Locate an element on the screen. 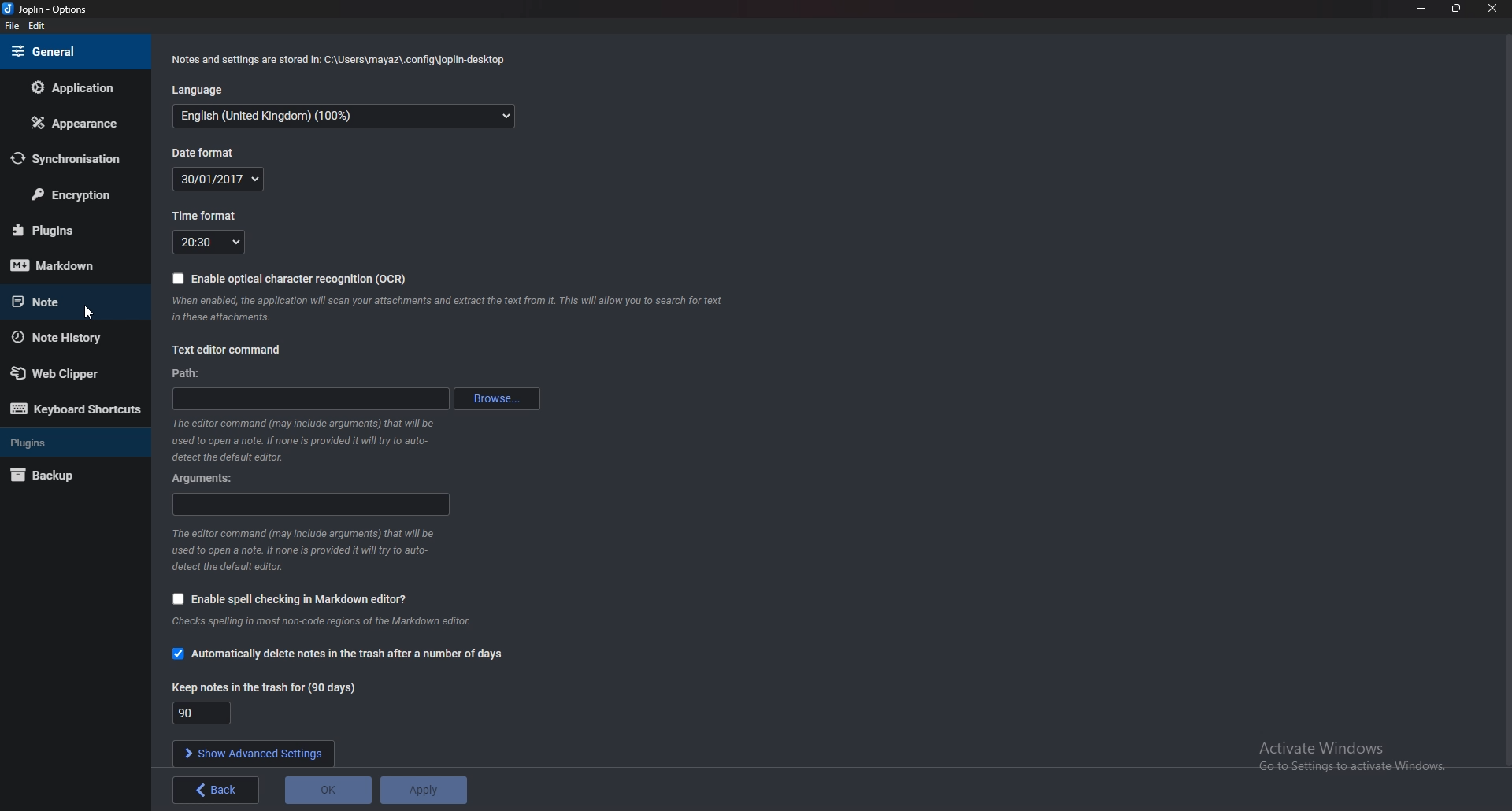 The width and height of the screenshot is (1512, 811). file is located at coordinates (12, 27).